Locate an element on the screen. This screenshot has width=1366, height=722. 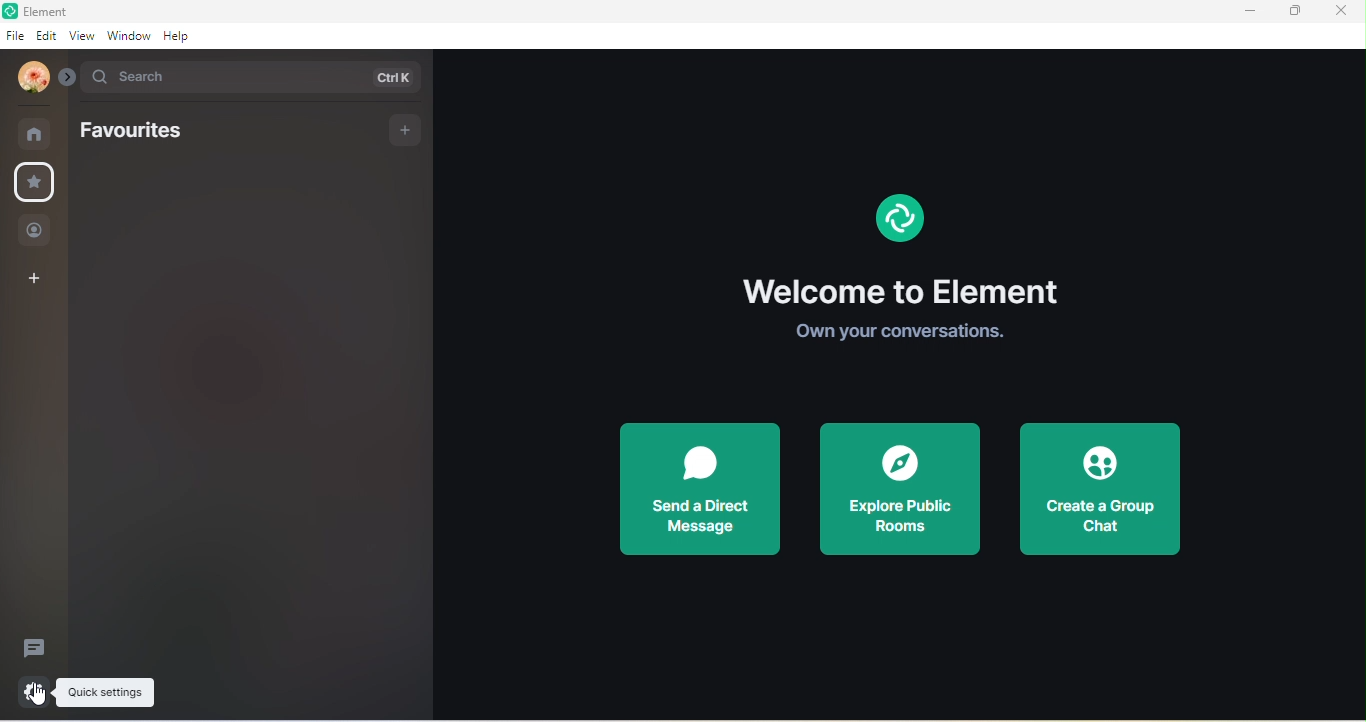
search is located at coordinates (255, 78).